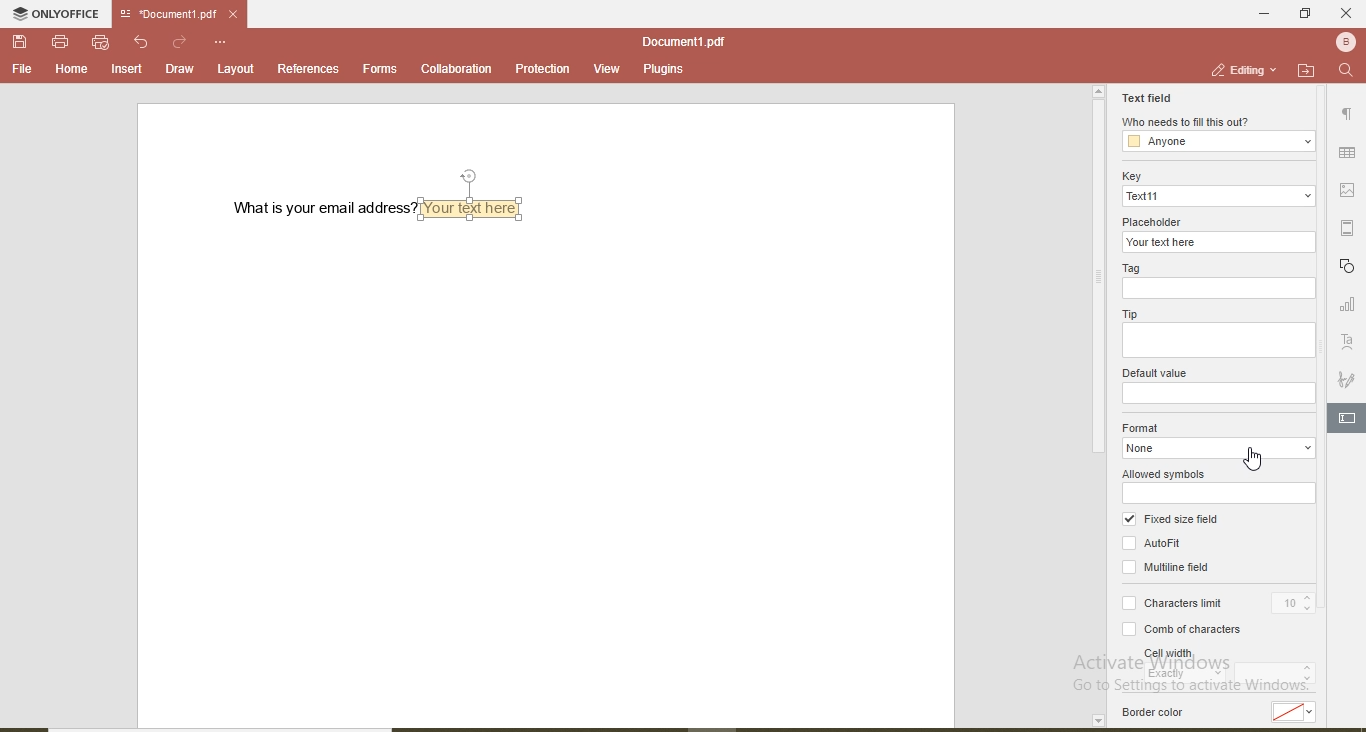  Describe the element at coordinates (1348, 342) in the screenshot. I see `text` at that location.